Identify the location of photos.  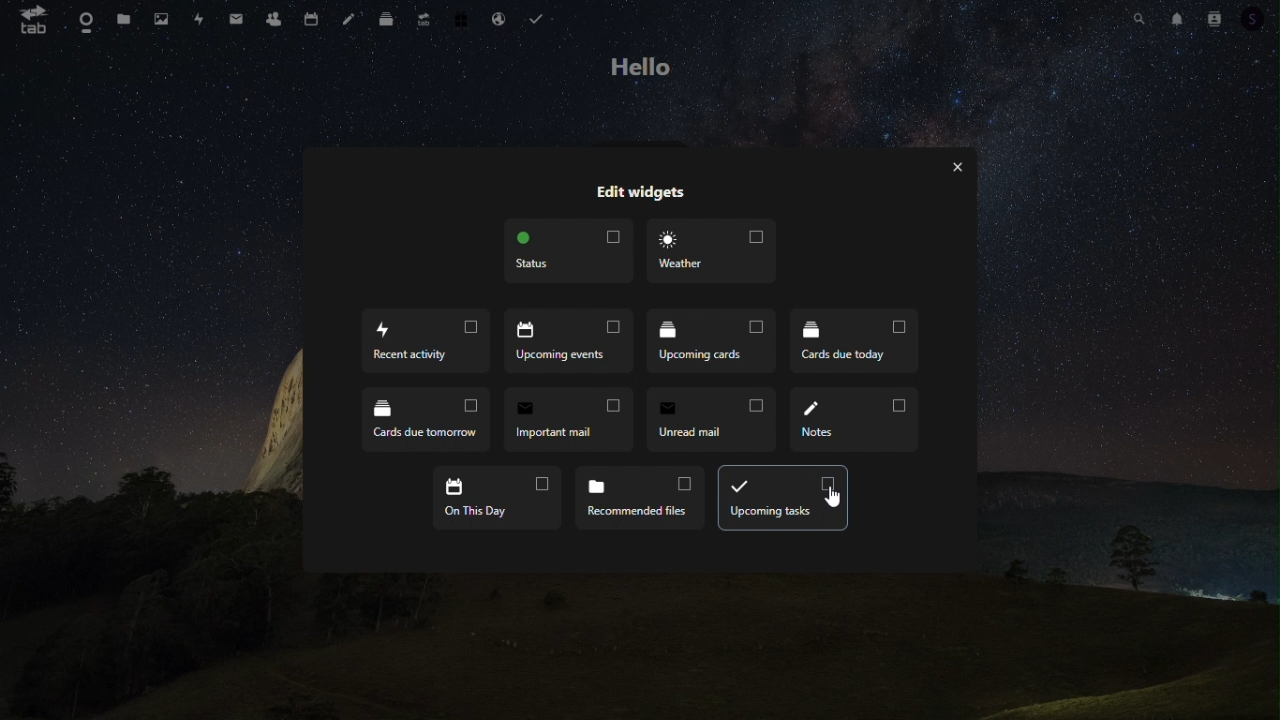
(163, 20).